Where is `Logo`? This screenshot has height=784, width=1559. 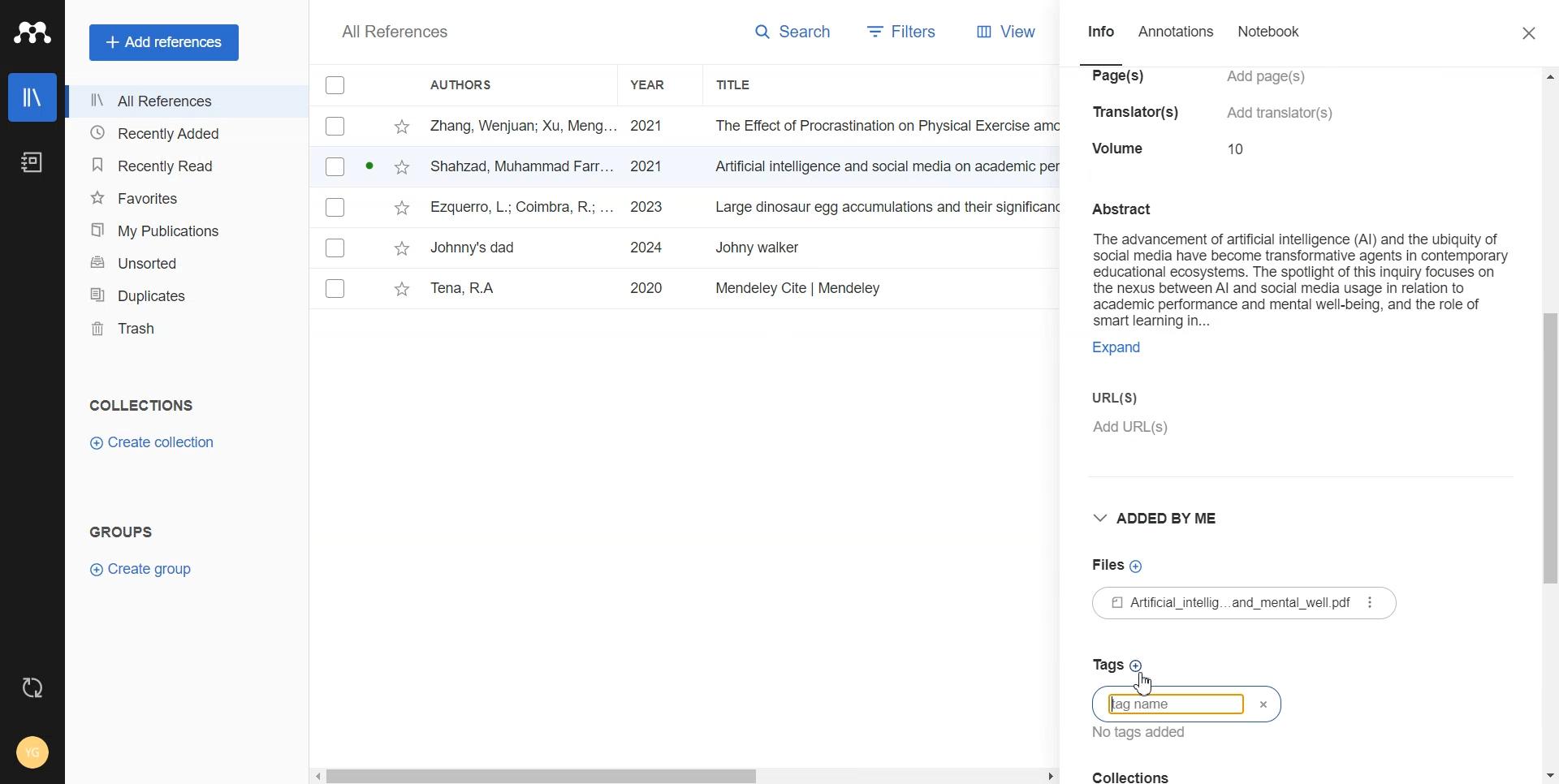 Logo is located at coordinates (32, 32).